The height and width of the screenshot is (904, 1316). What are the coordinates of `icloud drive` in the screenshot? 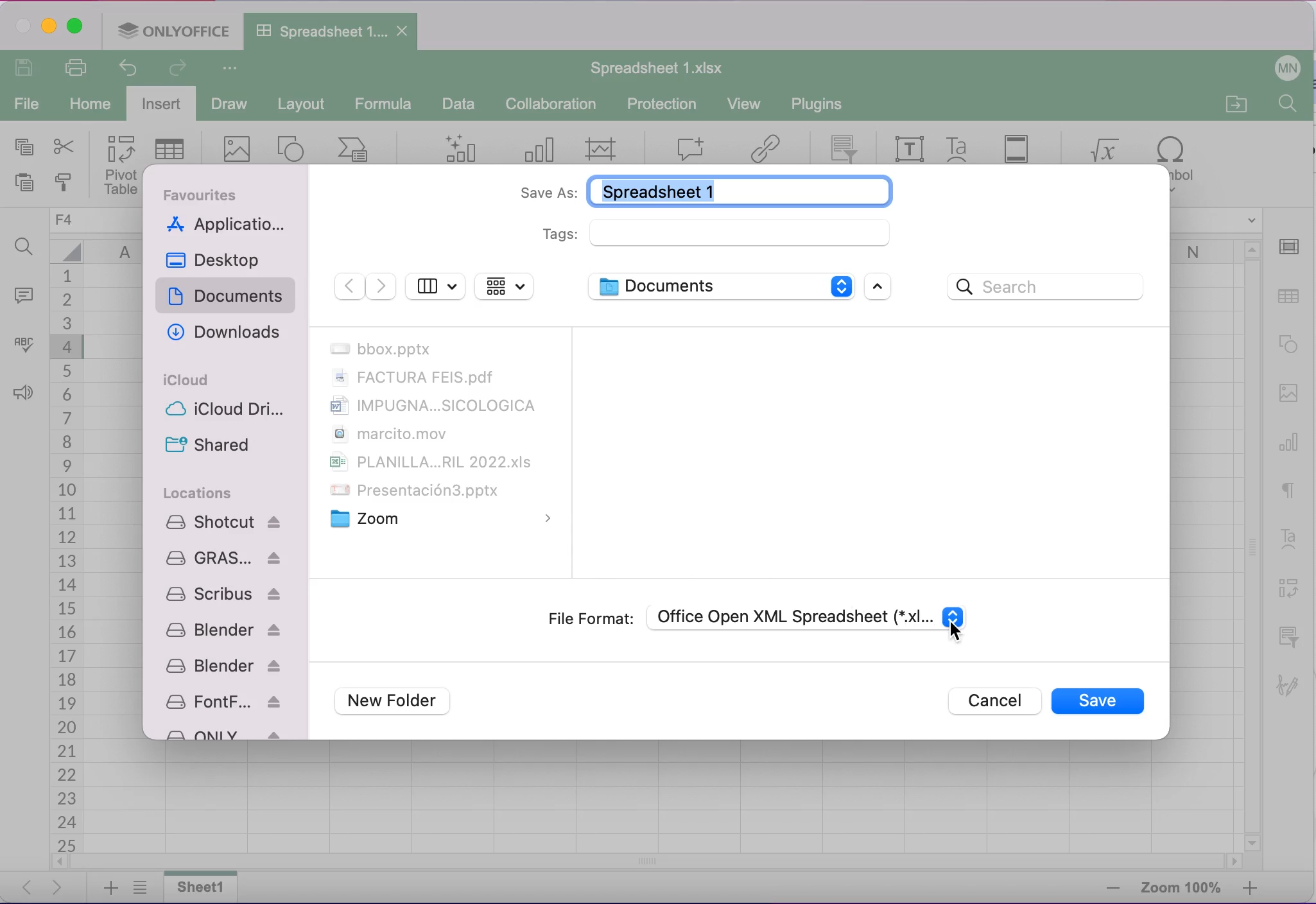 It's located at (229, 412).